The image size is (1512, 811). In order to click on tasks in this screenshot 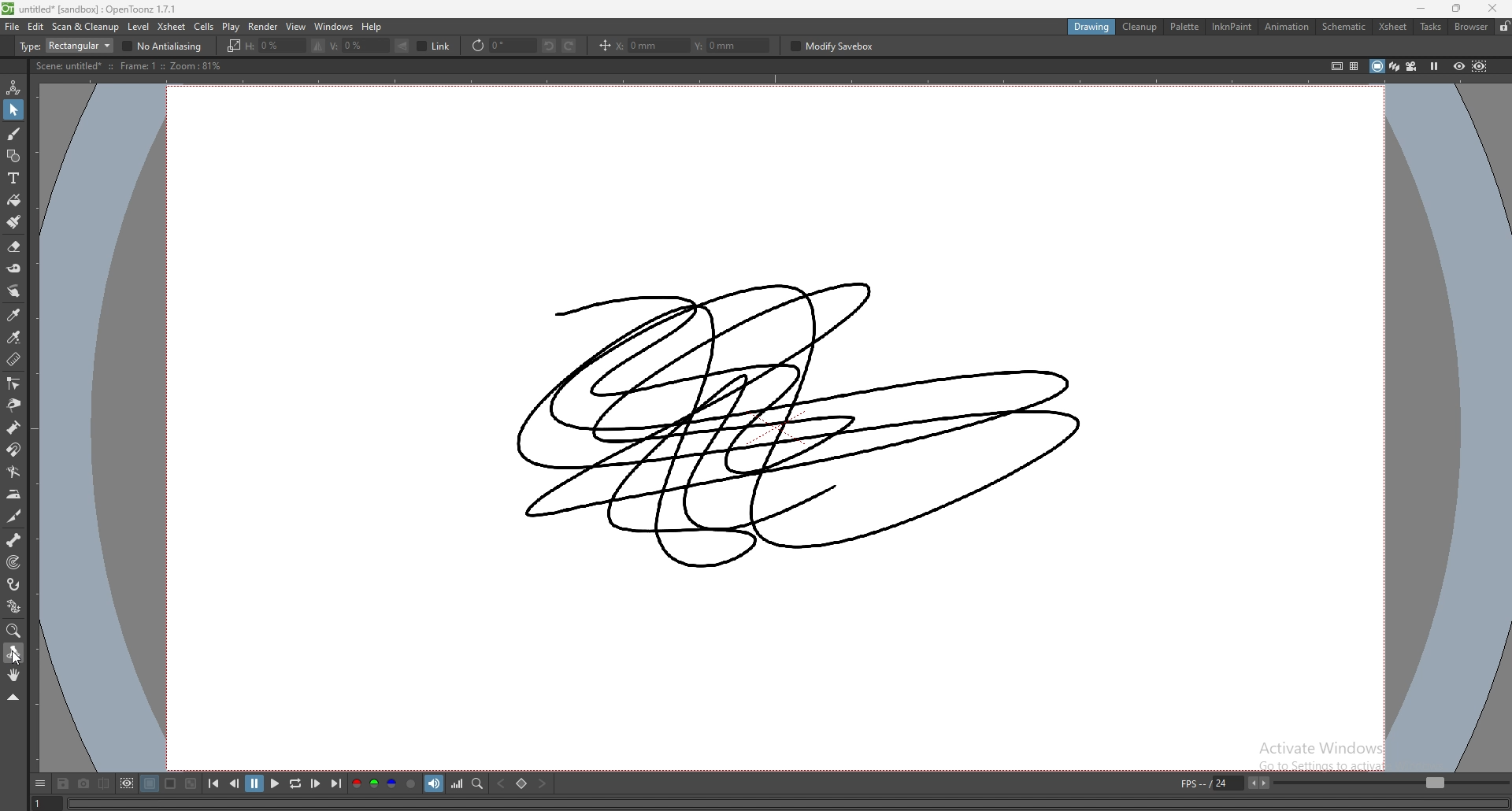, I will do `click(1430, 27)`.